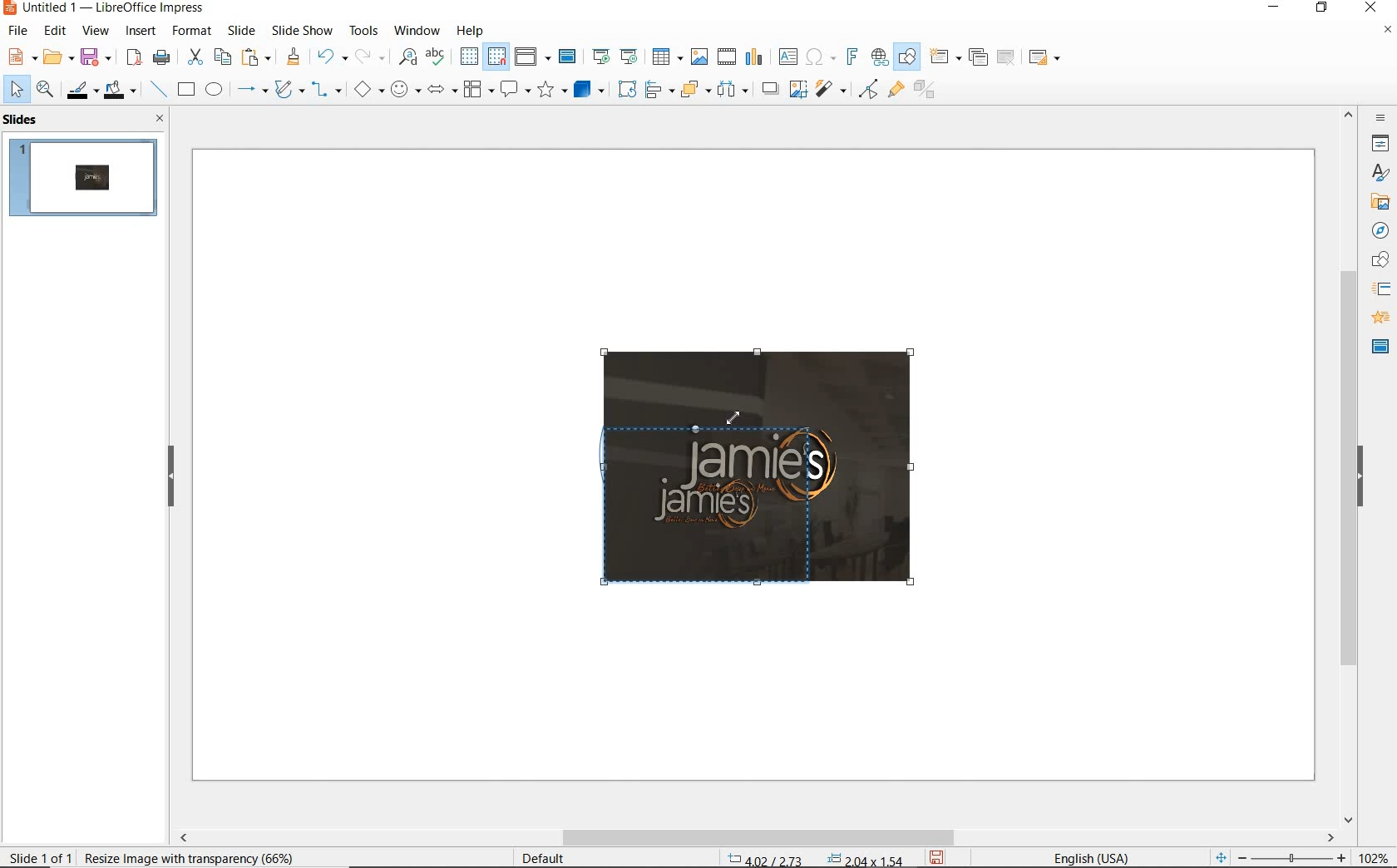 This screenshot has height=868, width=1397. What do you see at coordinates (56, 57) in the screenshot?
I see `open` at bounding box center [56, 57].